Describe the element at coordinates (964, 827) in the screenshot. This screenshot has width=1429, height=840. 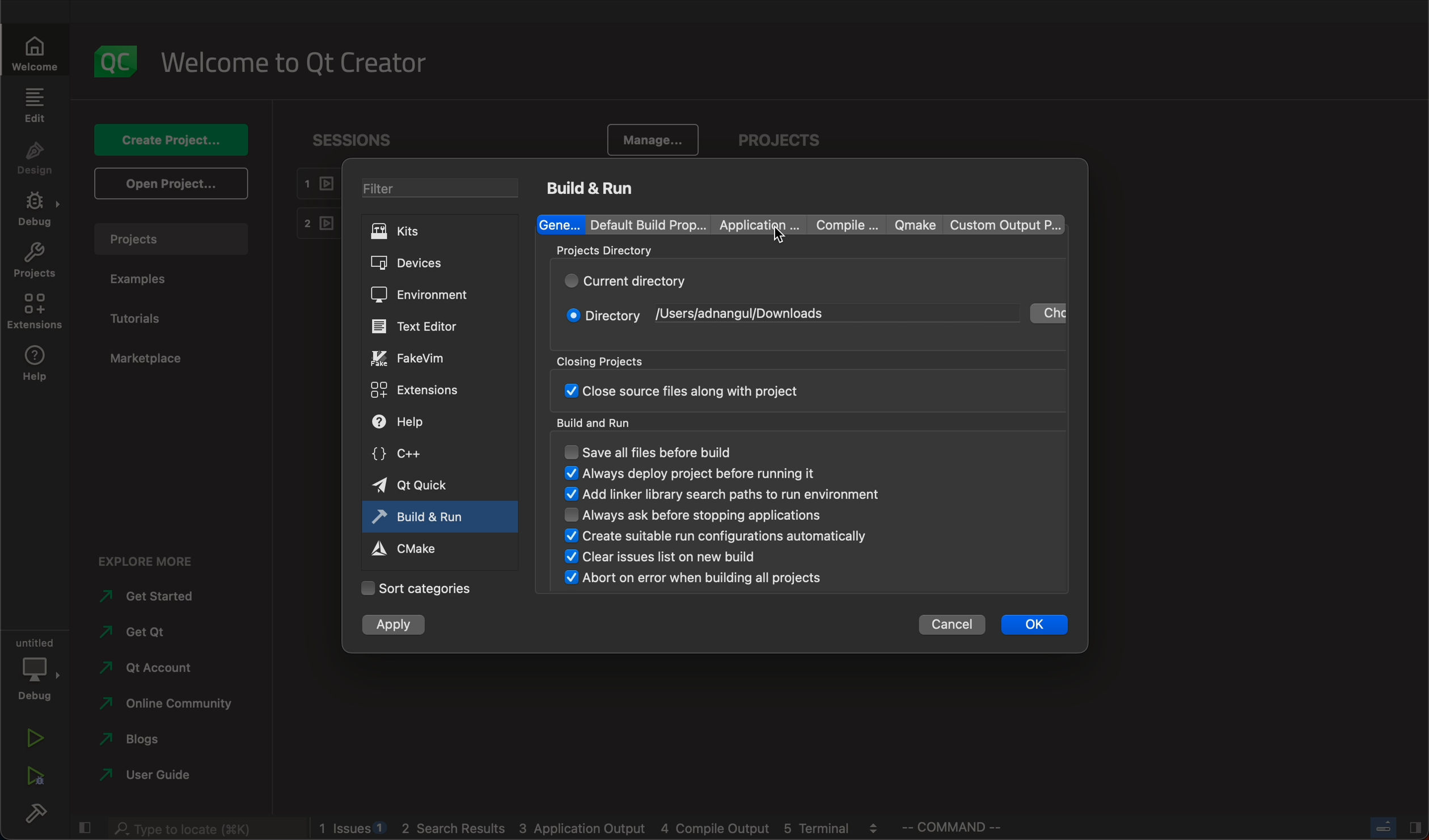
I see `command` at that location.